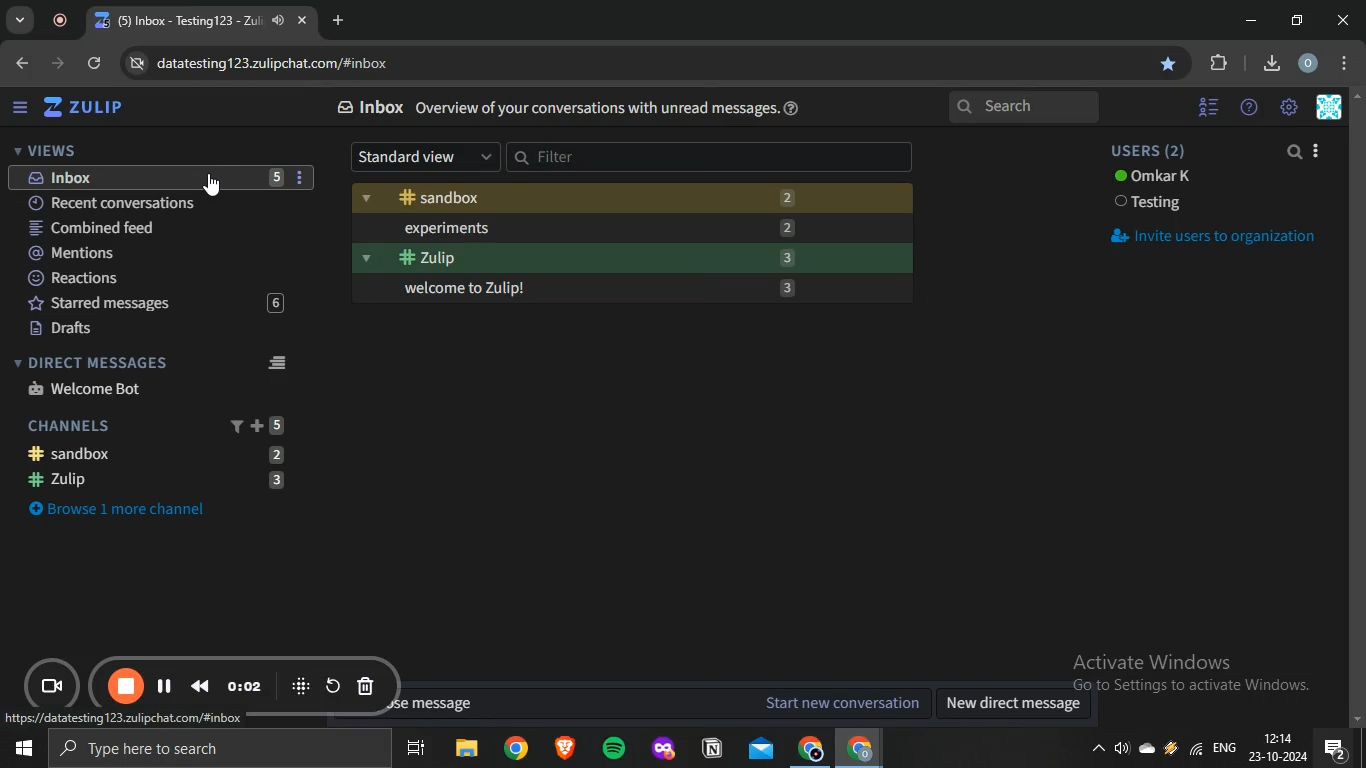 The height and width of the screenshot is (768, 1366). I want to click on delete, so click(366, 688).